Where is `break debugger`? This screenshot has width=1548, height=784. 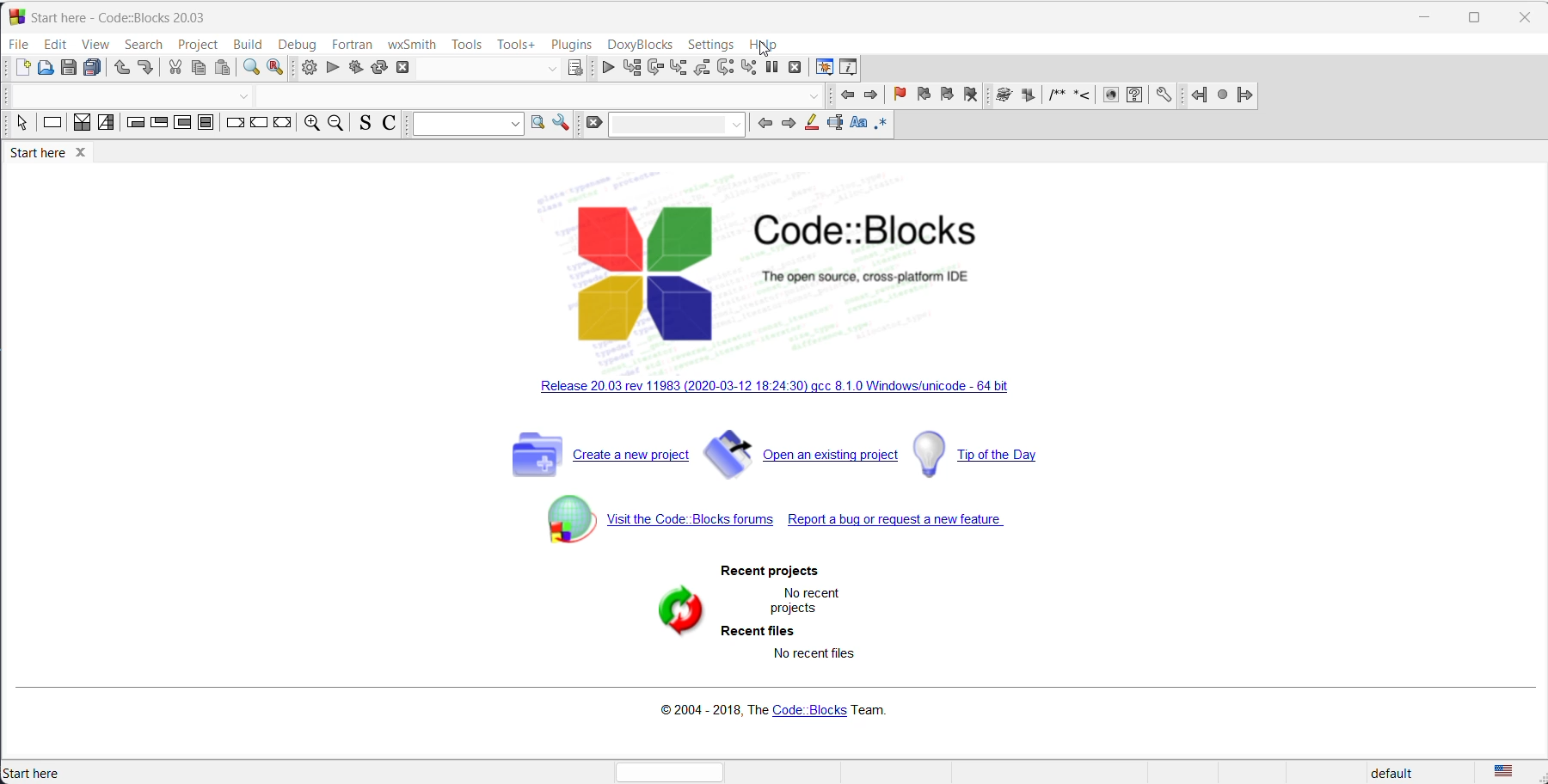
break debugger is located at coordinates (770, 68).